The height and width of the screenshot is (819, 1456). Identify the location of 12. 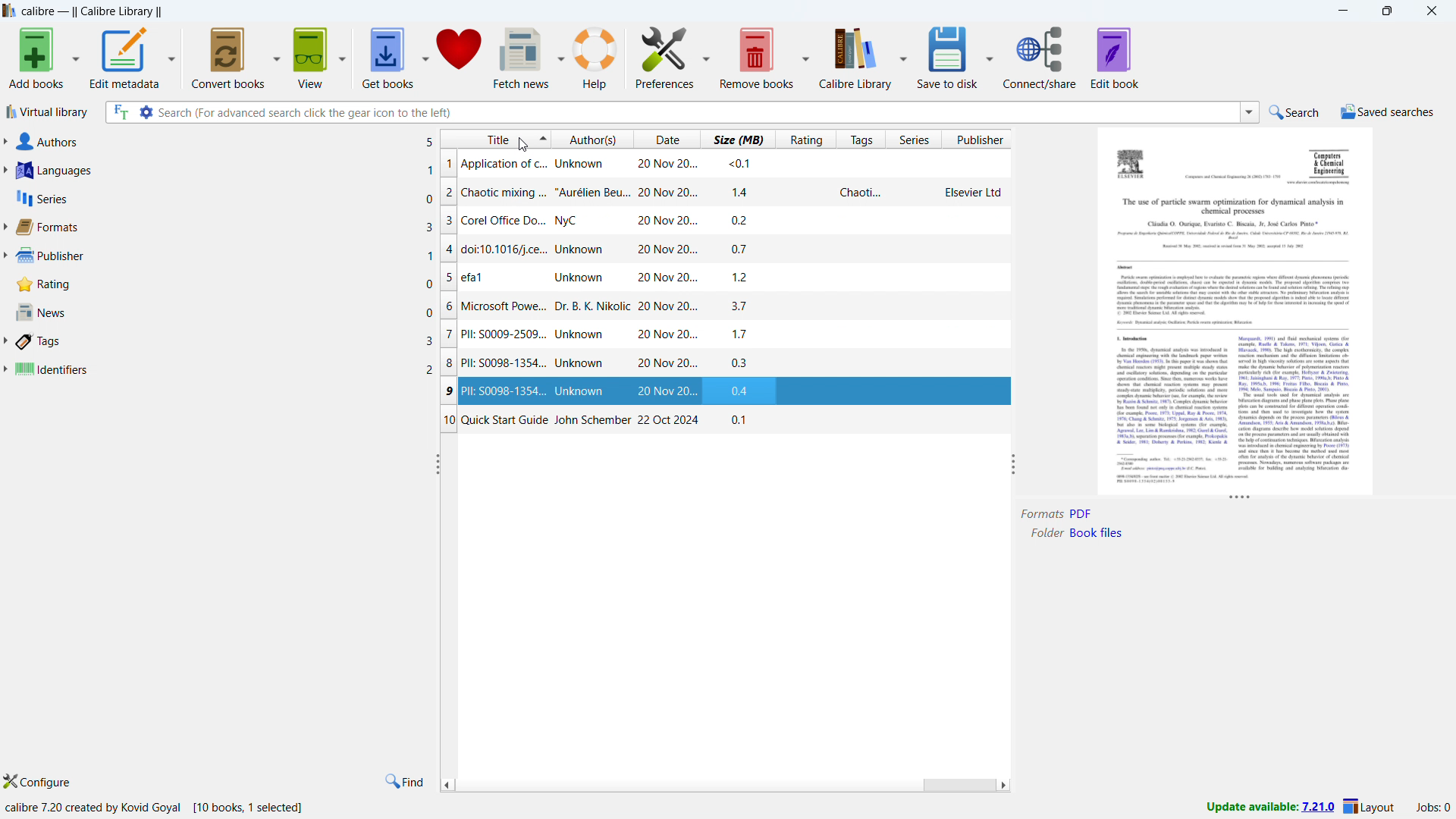
(744, 280).